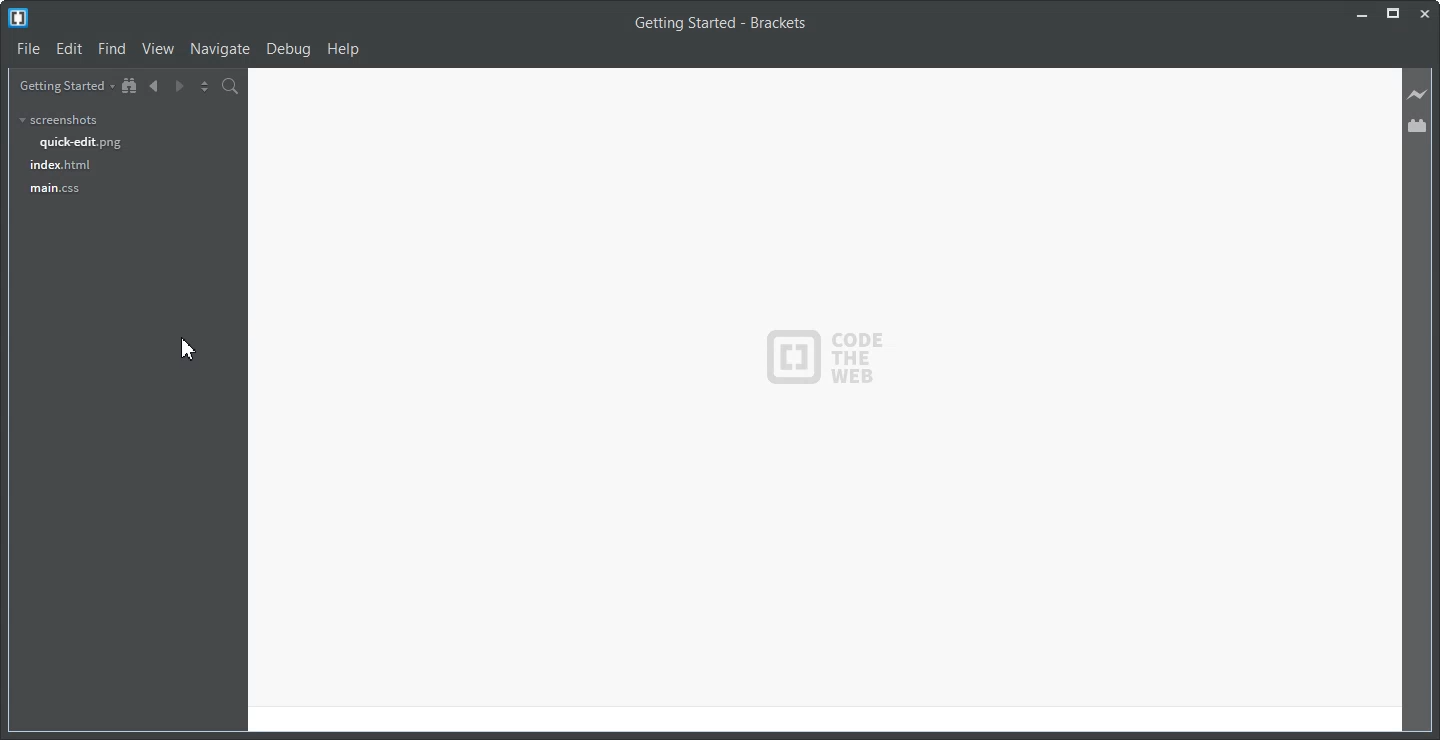 This screenshot has height=740, width=1440. What do you see at coordinates (831, 358) in the screenshot?
I see `logo` at bounding box center [831, 358].